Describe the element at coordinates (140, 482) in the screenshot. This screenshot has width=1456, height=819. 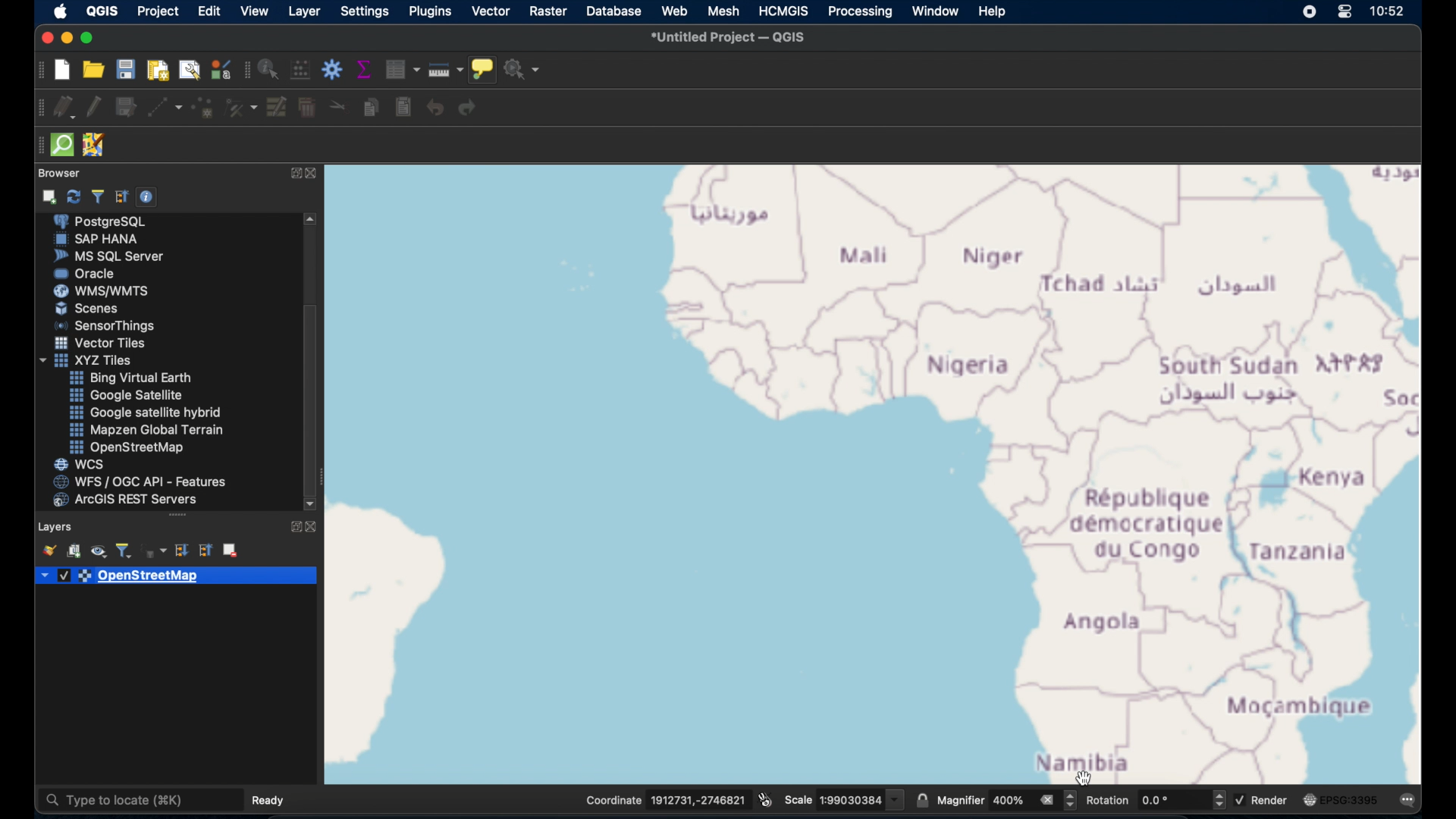
I see `wfs/ogc api - features` at that location.